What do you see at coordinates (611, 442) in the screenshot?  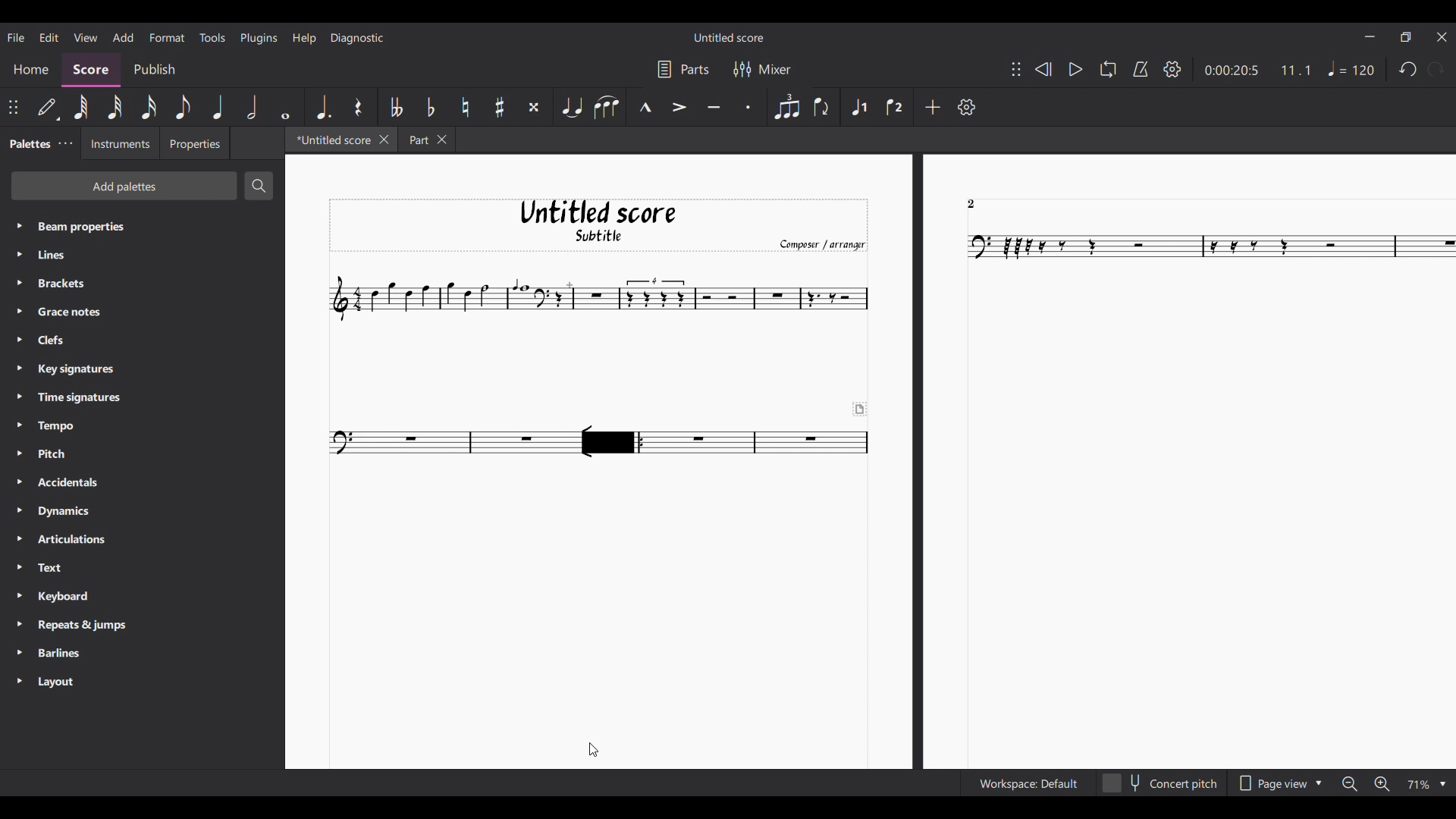 I see `Thickness of barline changed` at bounding box center [611, 442].